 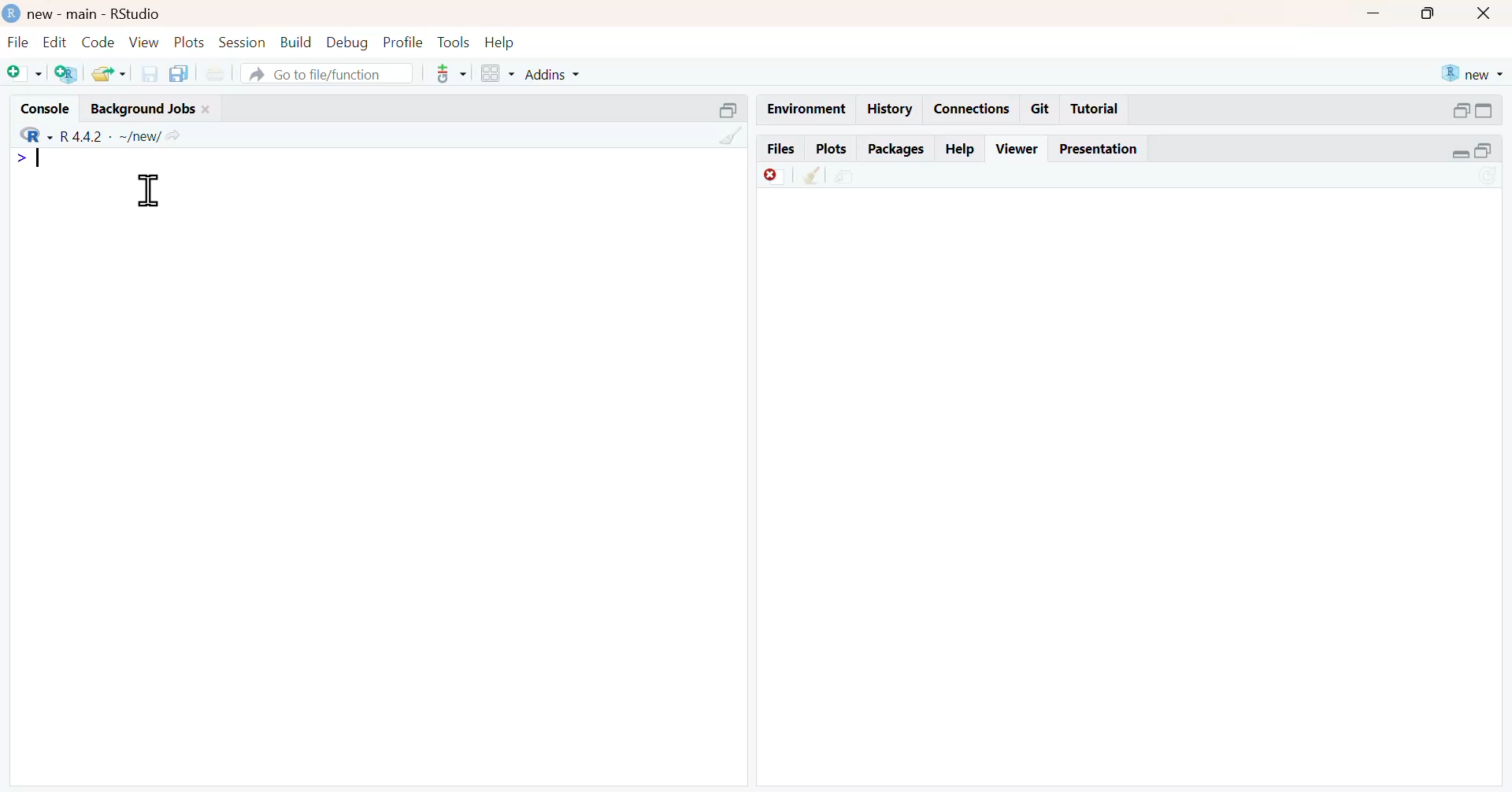 I want to click on tutorial, so click(x=1095, y=111).